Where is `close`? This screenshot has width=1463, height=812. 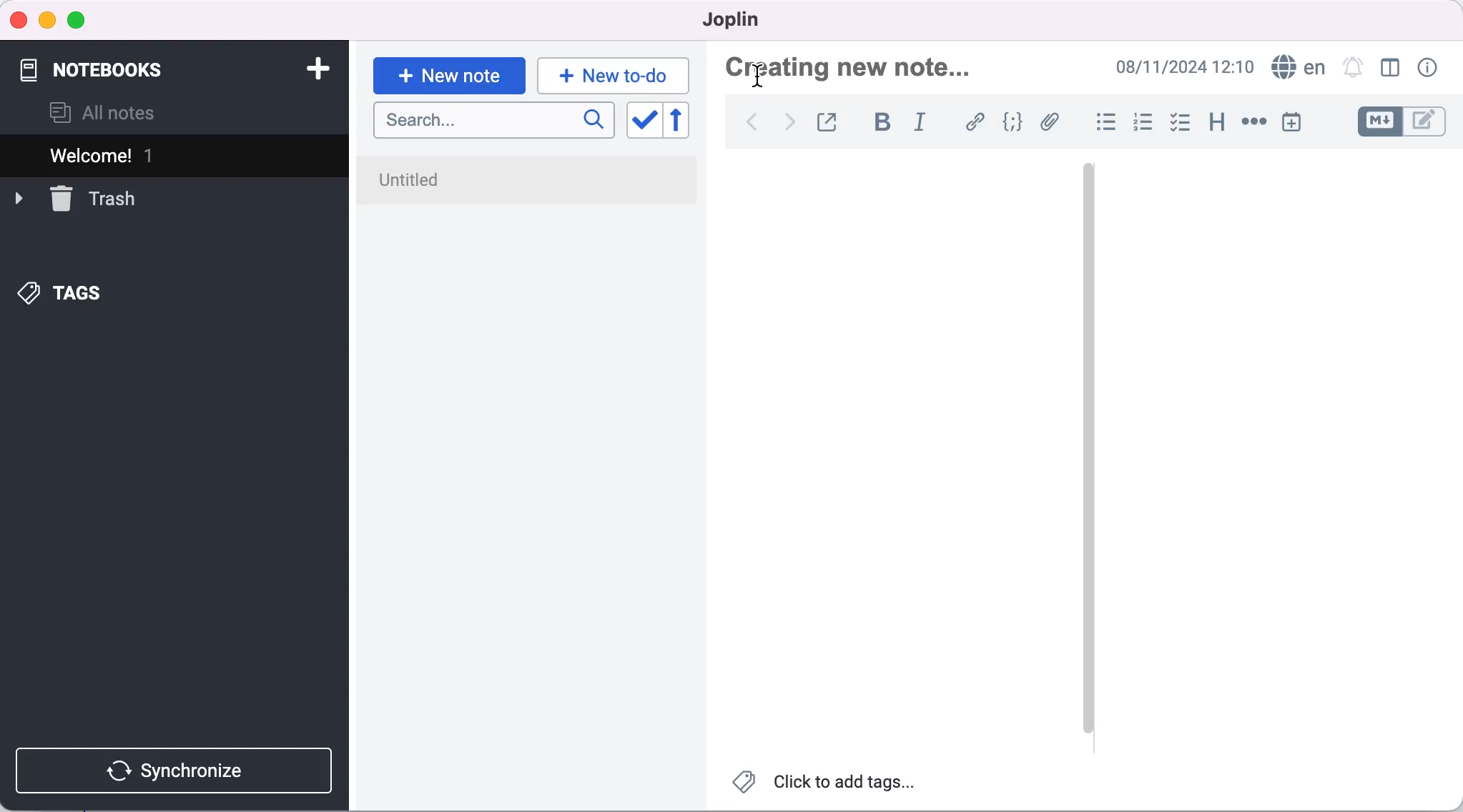 close is located at coordinates (19, 19).